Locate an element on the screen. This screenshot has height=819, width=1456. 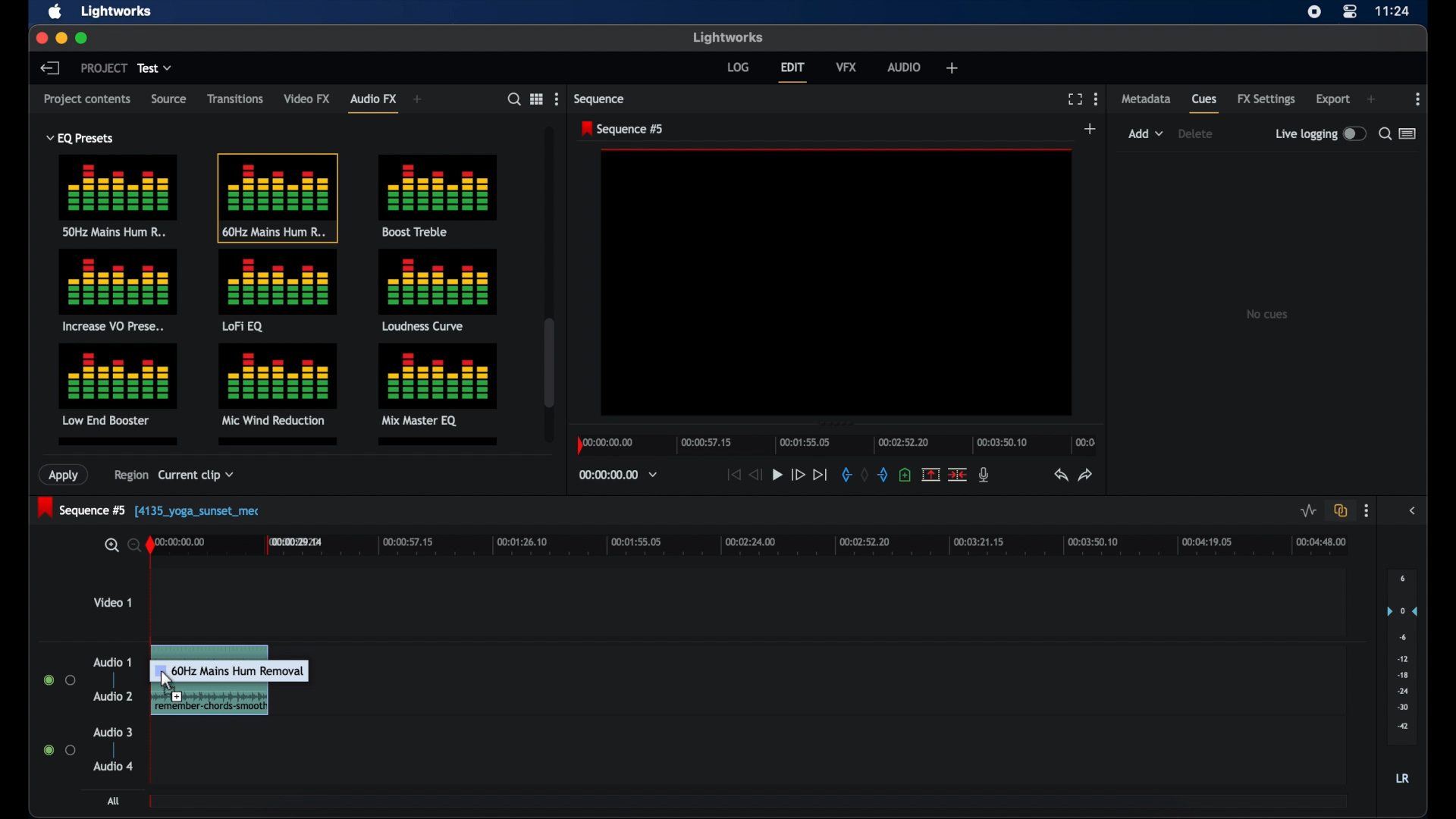
fx settings is located at coordinates (1266, 99).